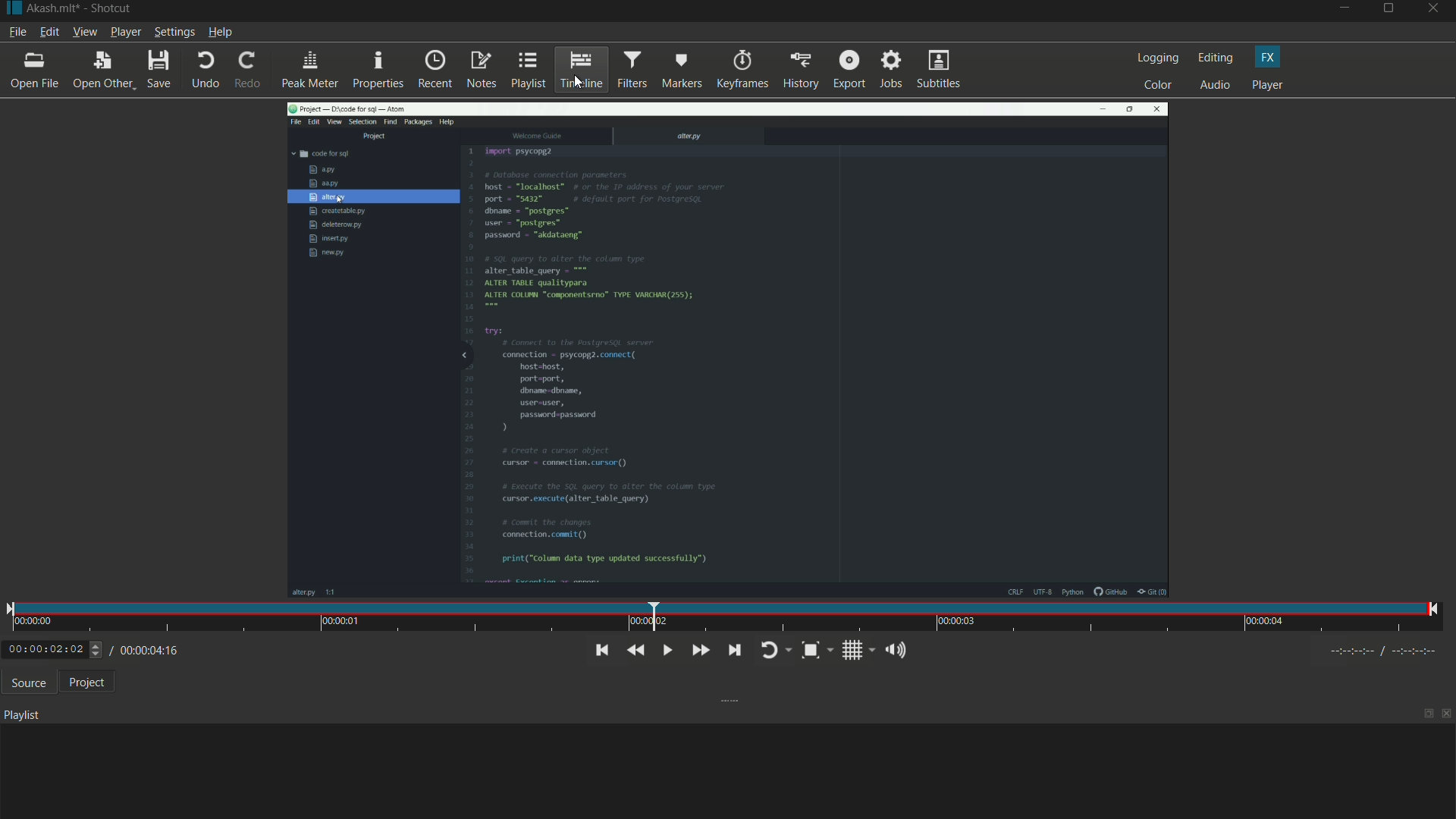 The height and width of the screenshot is (819, 1456). Describe the element at coordinates (17, 32) in the screenshot. I see `file menu` at that location.